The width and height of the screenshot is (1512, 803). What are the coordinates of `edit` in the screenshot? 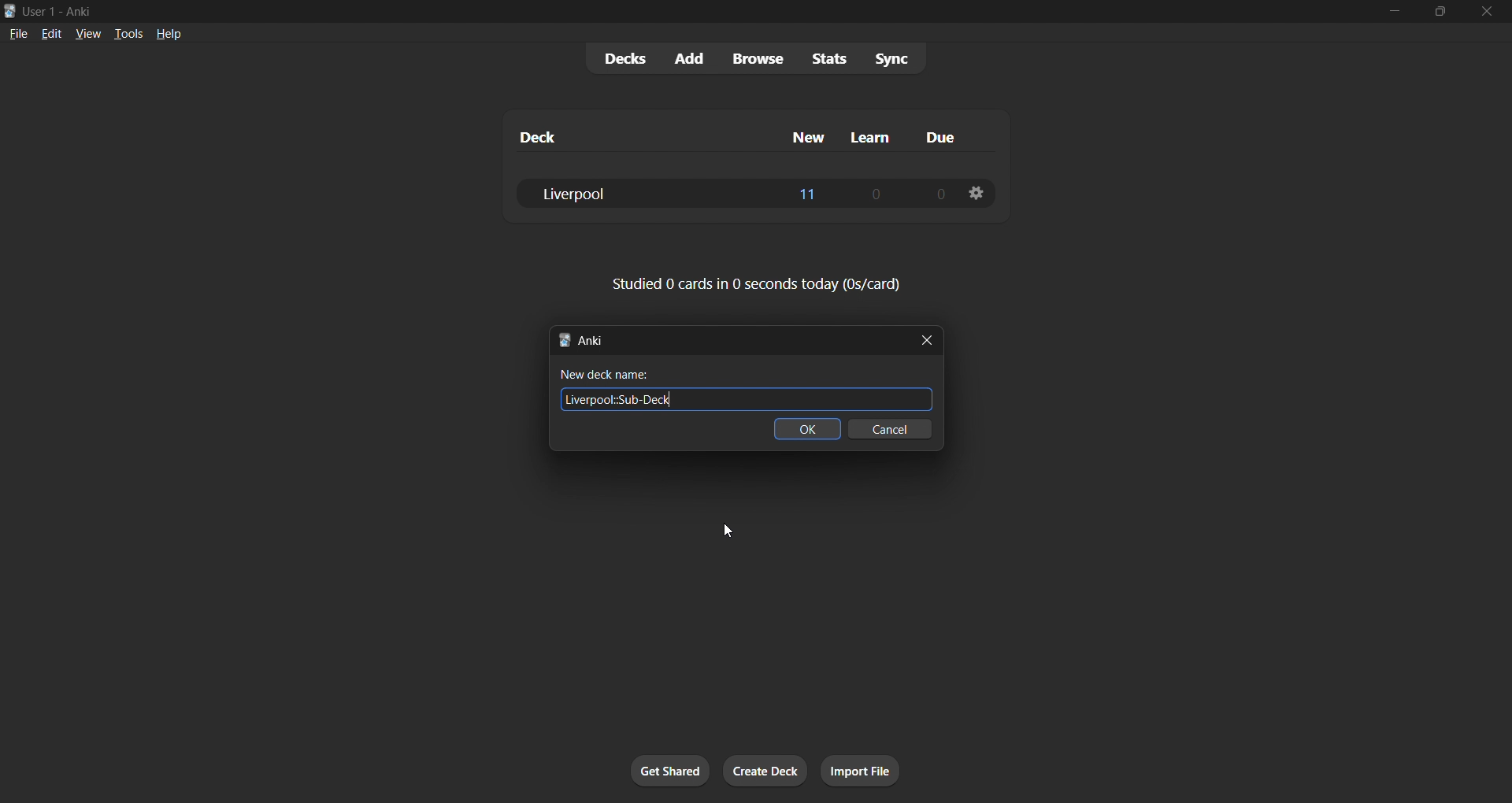 It's located at (52, 32).